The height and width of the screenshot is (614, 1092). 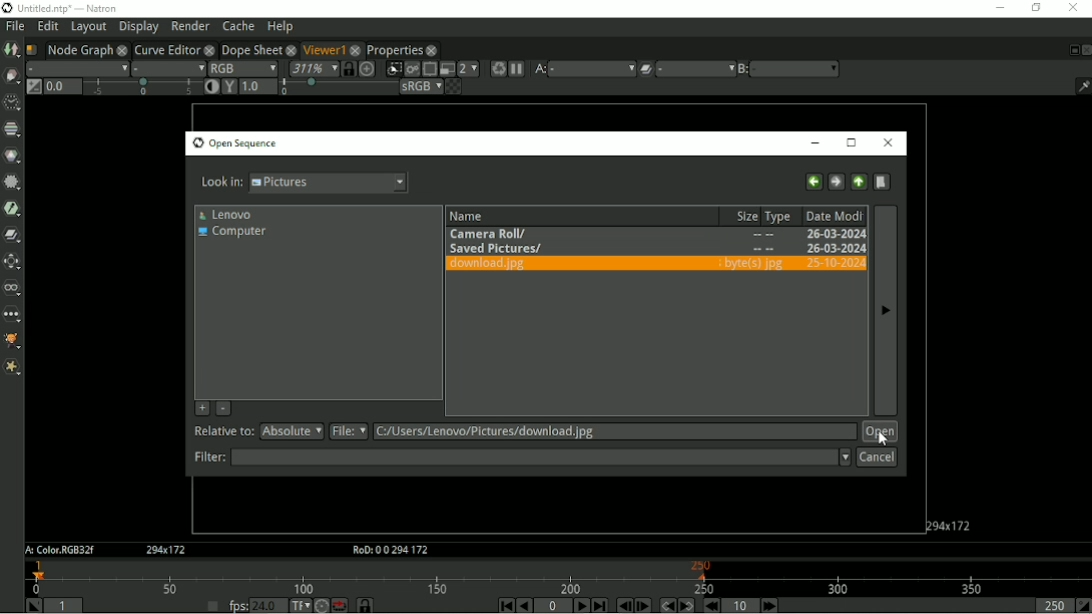 I want to click on Display, so click(x=138, y=28).